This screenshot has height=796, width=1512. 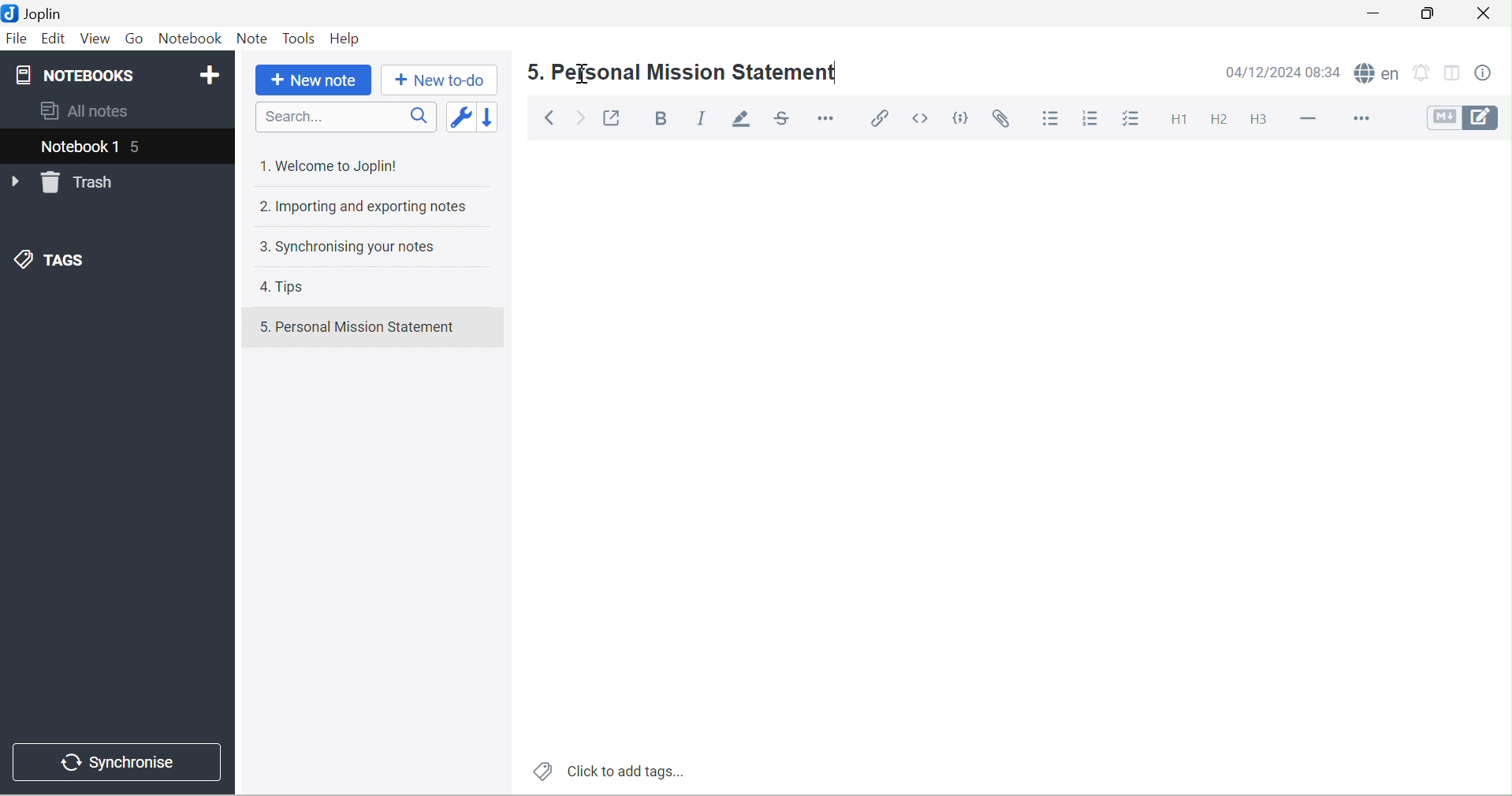 I want to click on More, so click(x=1361, y=117).